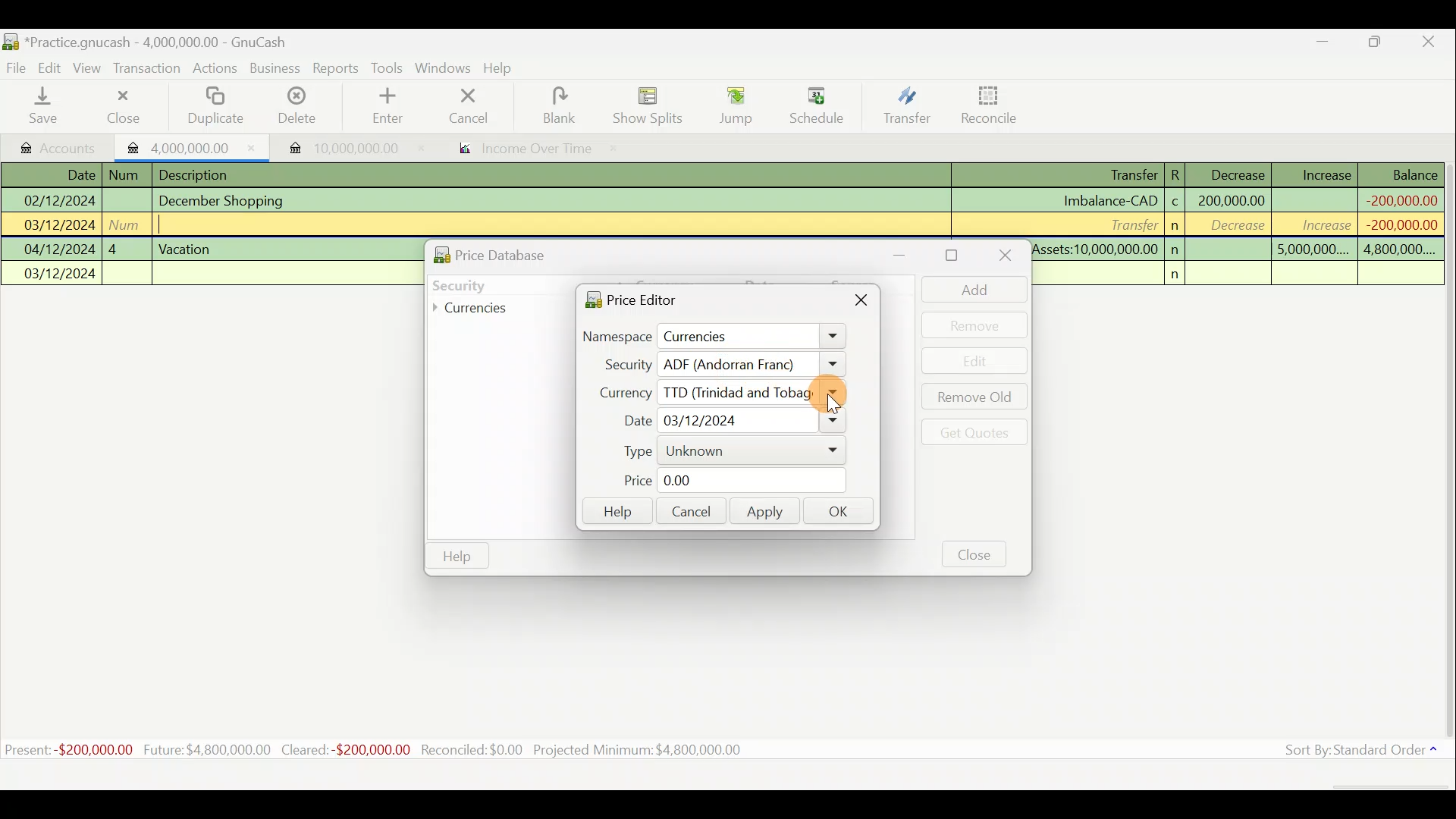 This screenshot has width=1456, height=819. What do you see at coordinates (976, 361) in the screenshot?
I see `Edit` at bounding box center [976, 361].